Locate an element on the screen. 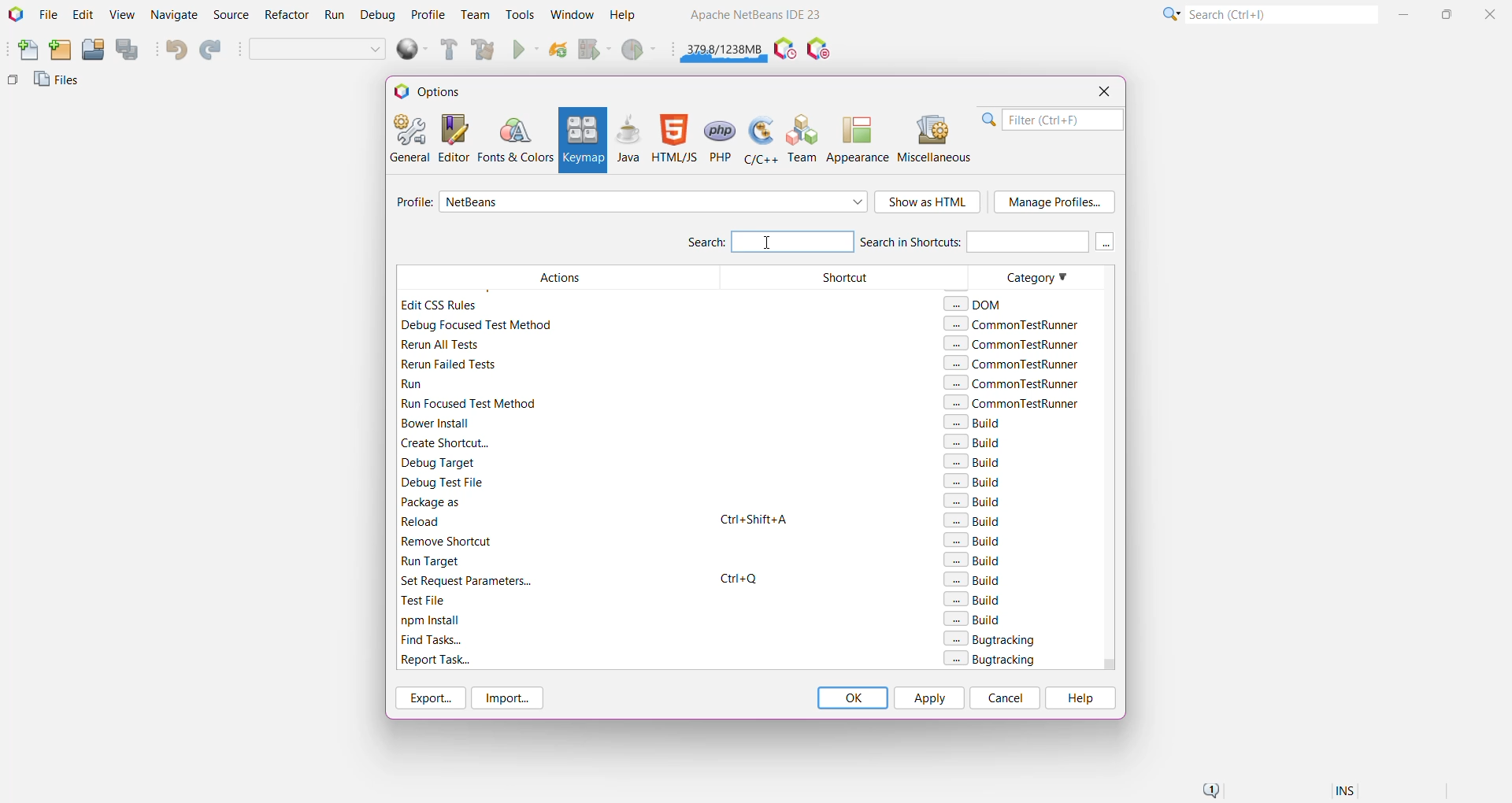 The image size is (1512, 803). Vertical Scroll Bar is located at coordinates (1106, 424).